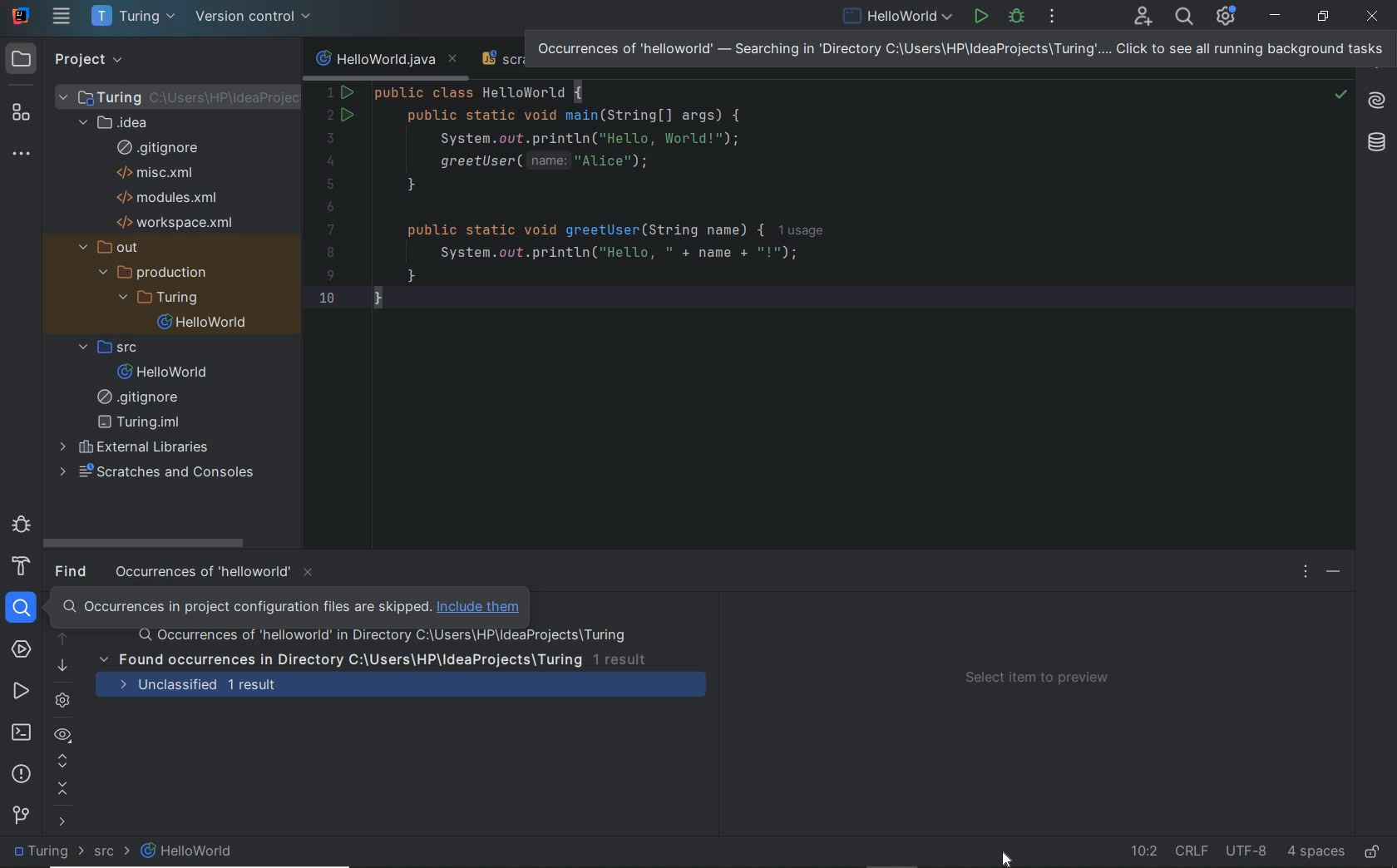  What do you see at coordinates (22, 732) in the screenshot?
I see `terminal` at bounding box center [22, 732].